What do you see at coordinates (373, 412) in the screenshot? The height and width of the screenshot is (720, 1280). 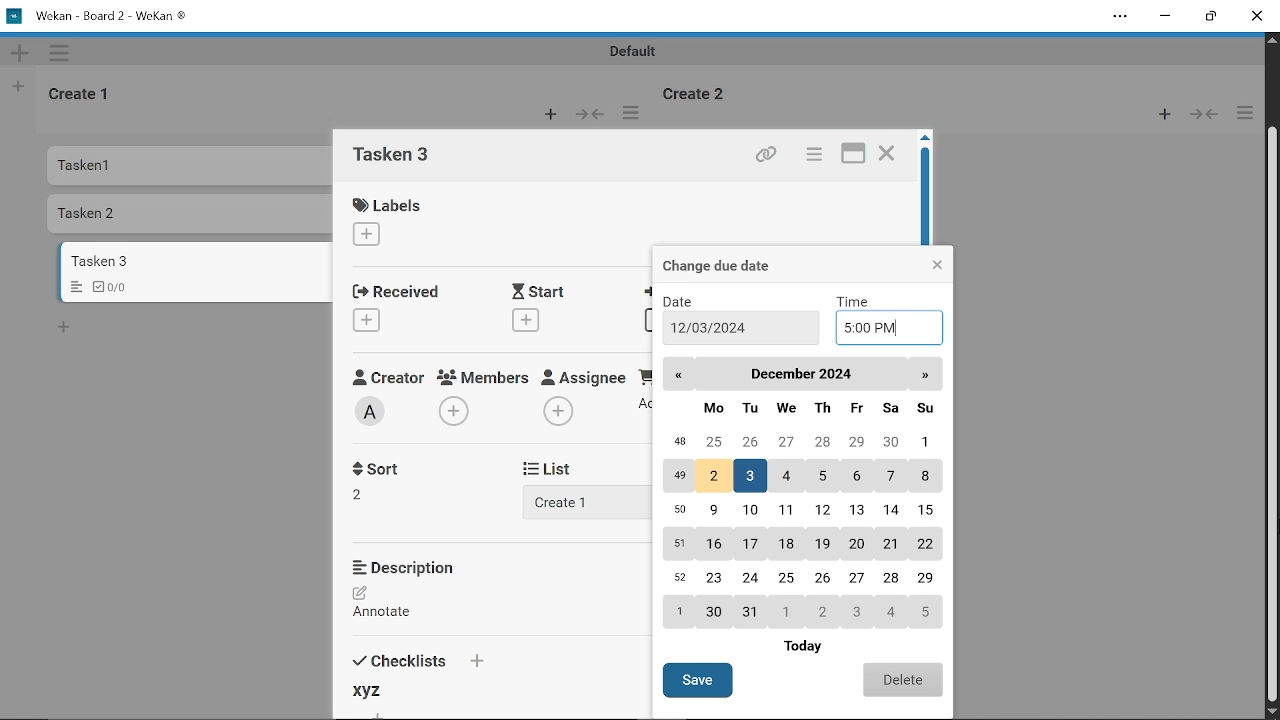 I see `Creator ` at bounding box center [373, 412].